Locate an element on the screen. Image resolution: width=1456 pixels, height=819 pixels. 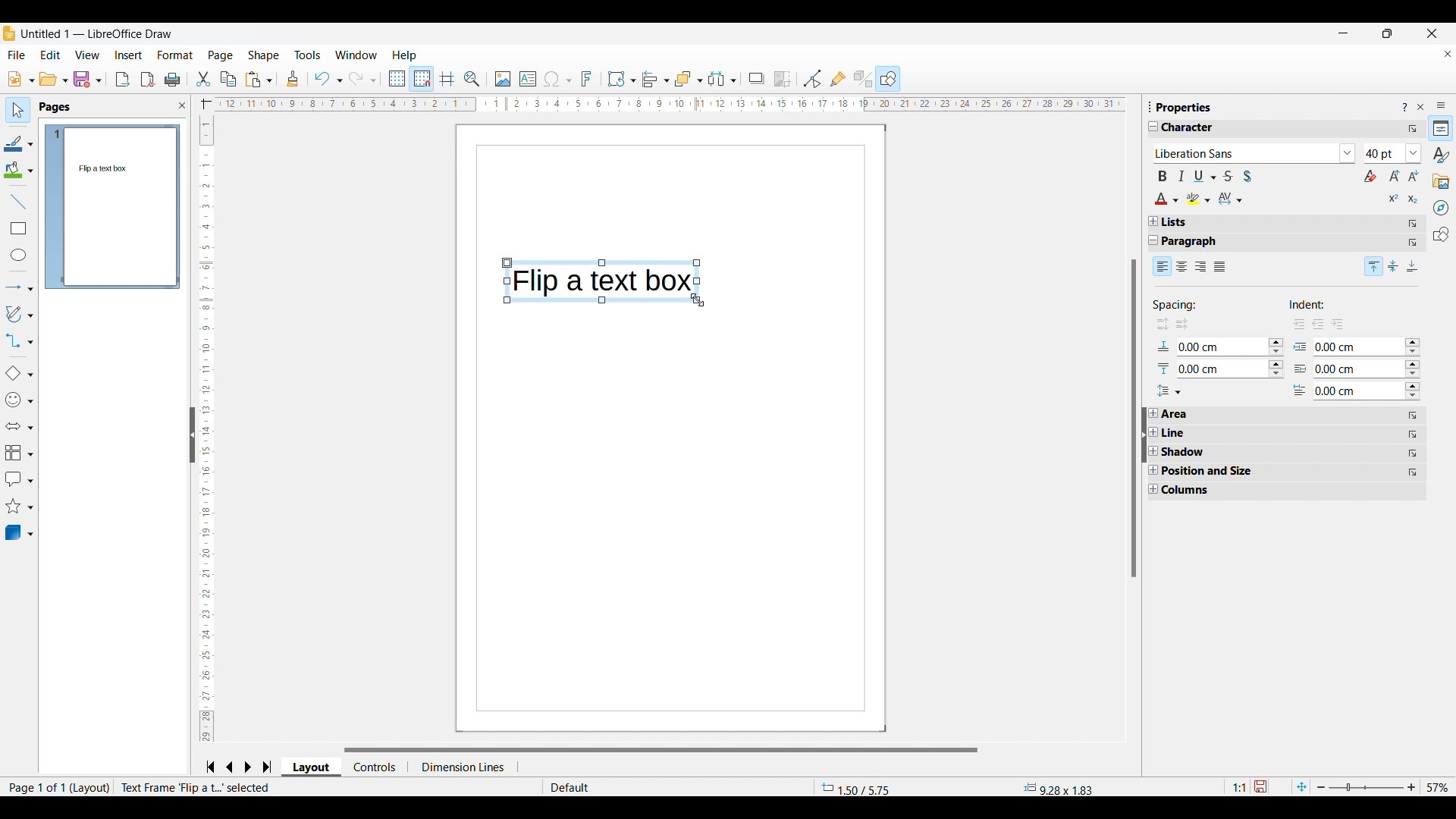
pages is located at coordinates (56, 108).